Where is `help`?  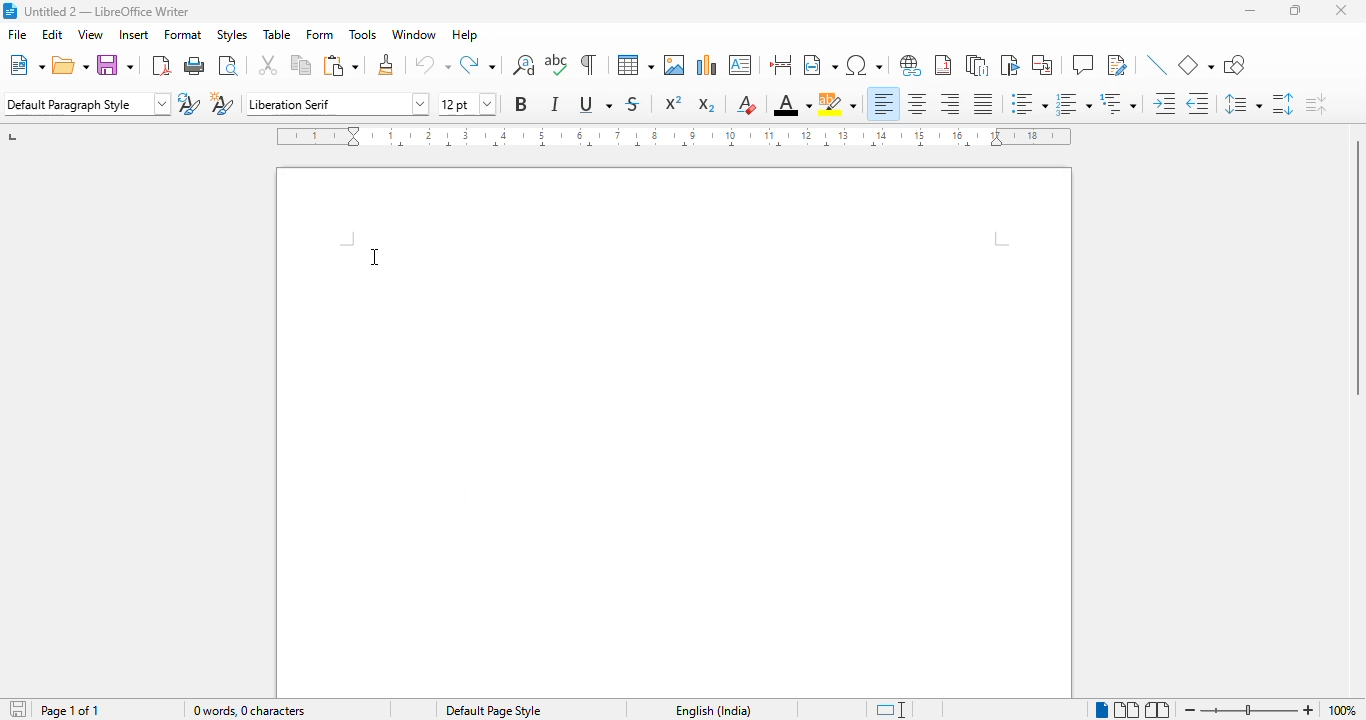 help is located at coordinates (464, 35).